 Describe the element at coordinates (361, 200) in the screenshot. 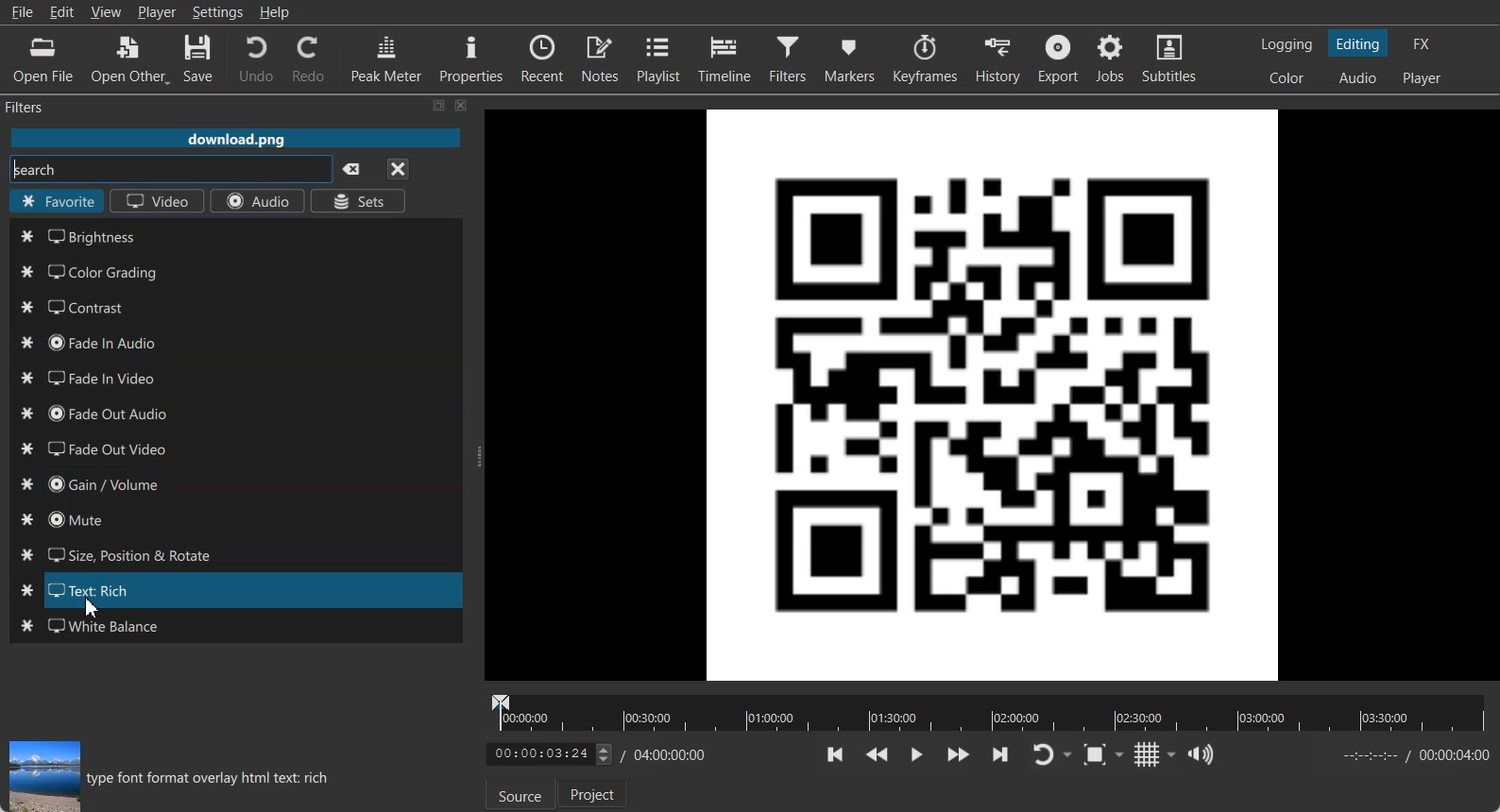

I see `Sets` at that location.